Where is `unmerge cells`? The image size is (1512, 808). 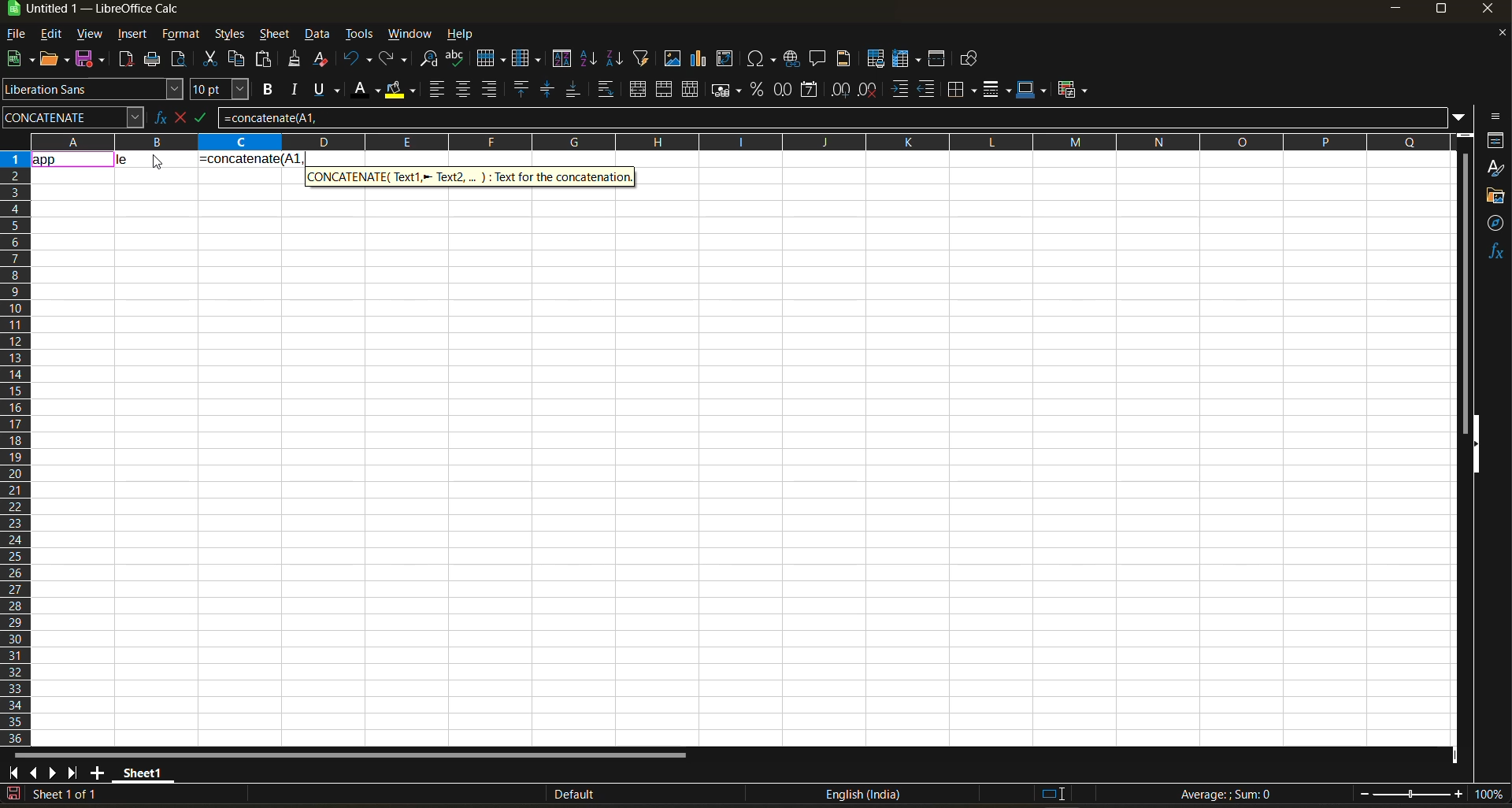 unmerge cells is located at coordinates (692, 90).